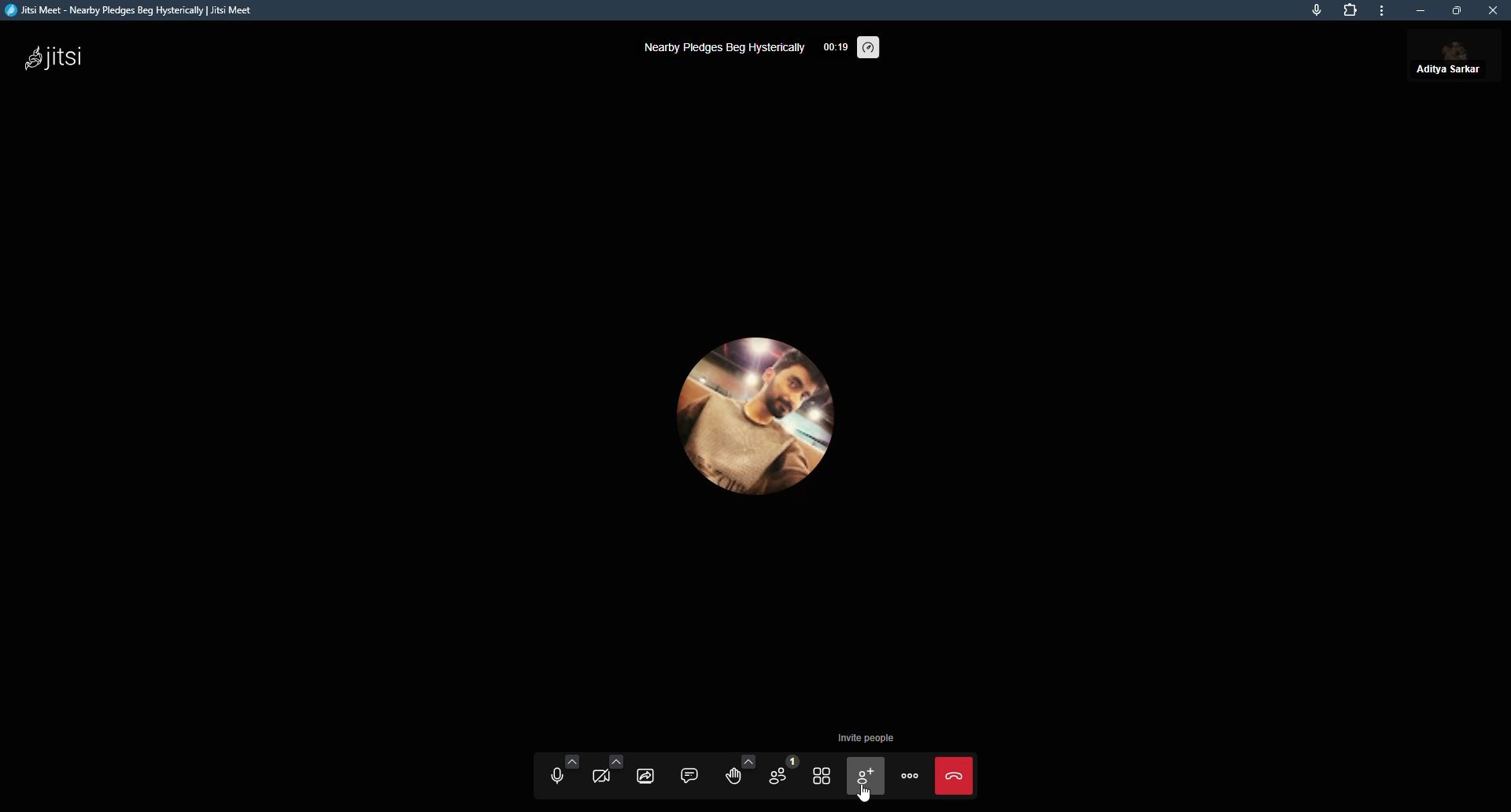  I want to click on toggle tile view, so click(820, 777).